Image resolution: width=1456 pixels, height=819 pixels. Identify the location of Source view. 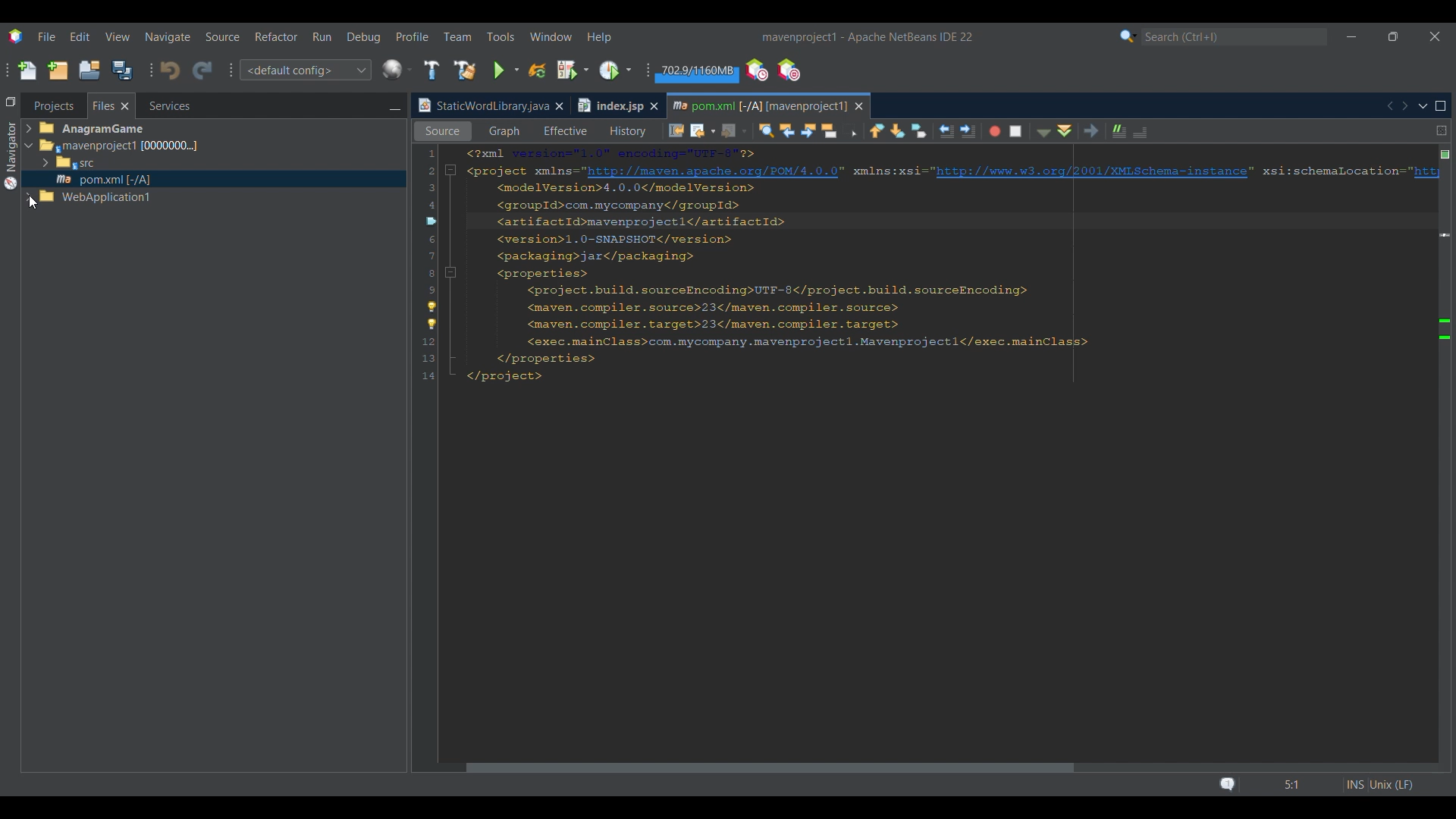
(439, 131).